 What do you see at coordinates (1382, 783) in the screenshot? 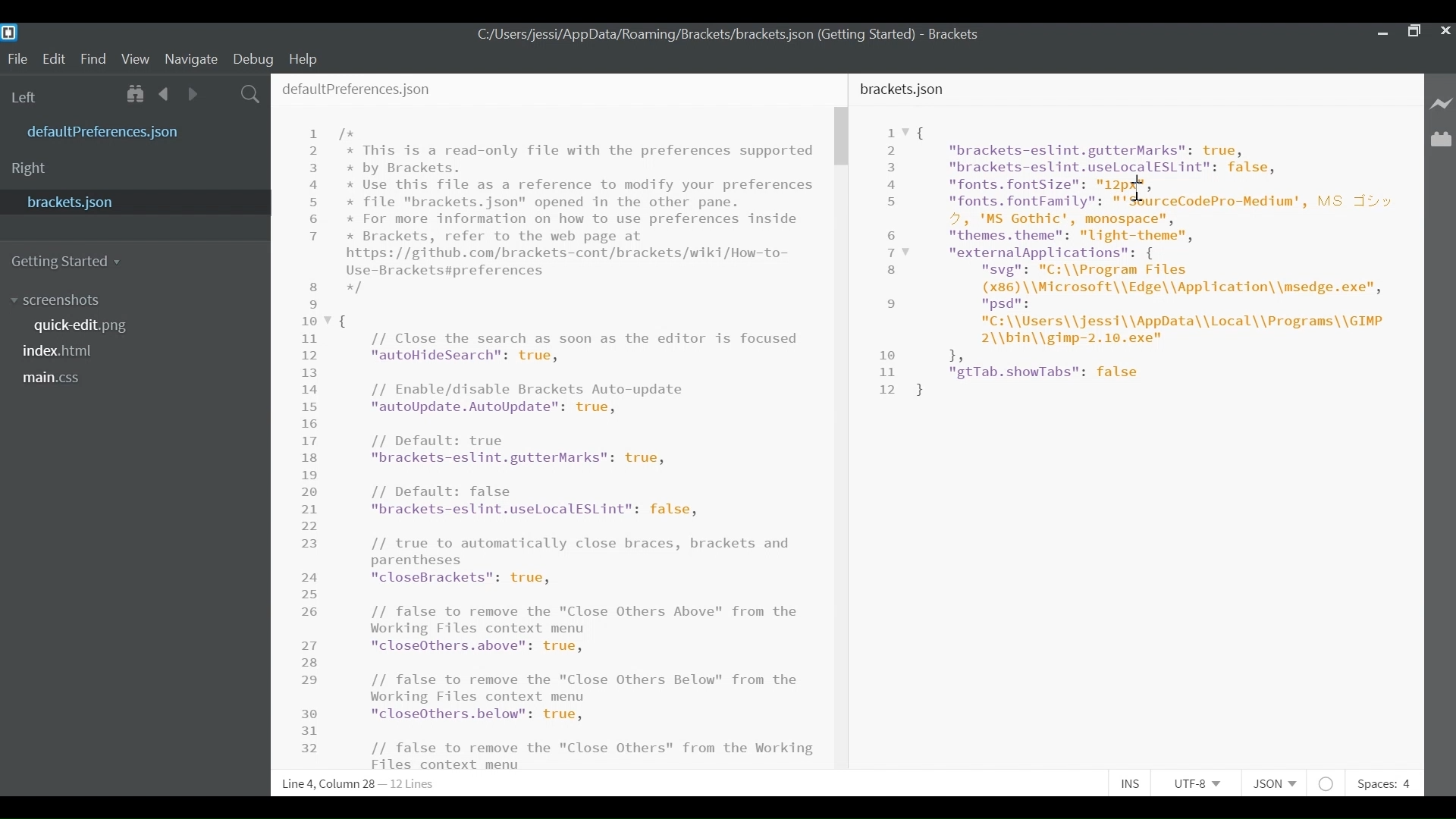
I see `Spaces: 4` at bounding box center [1382, 783].